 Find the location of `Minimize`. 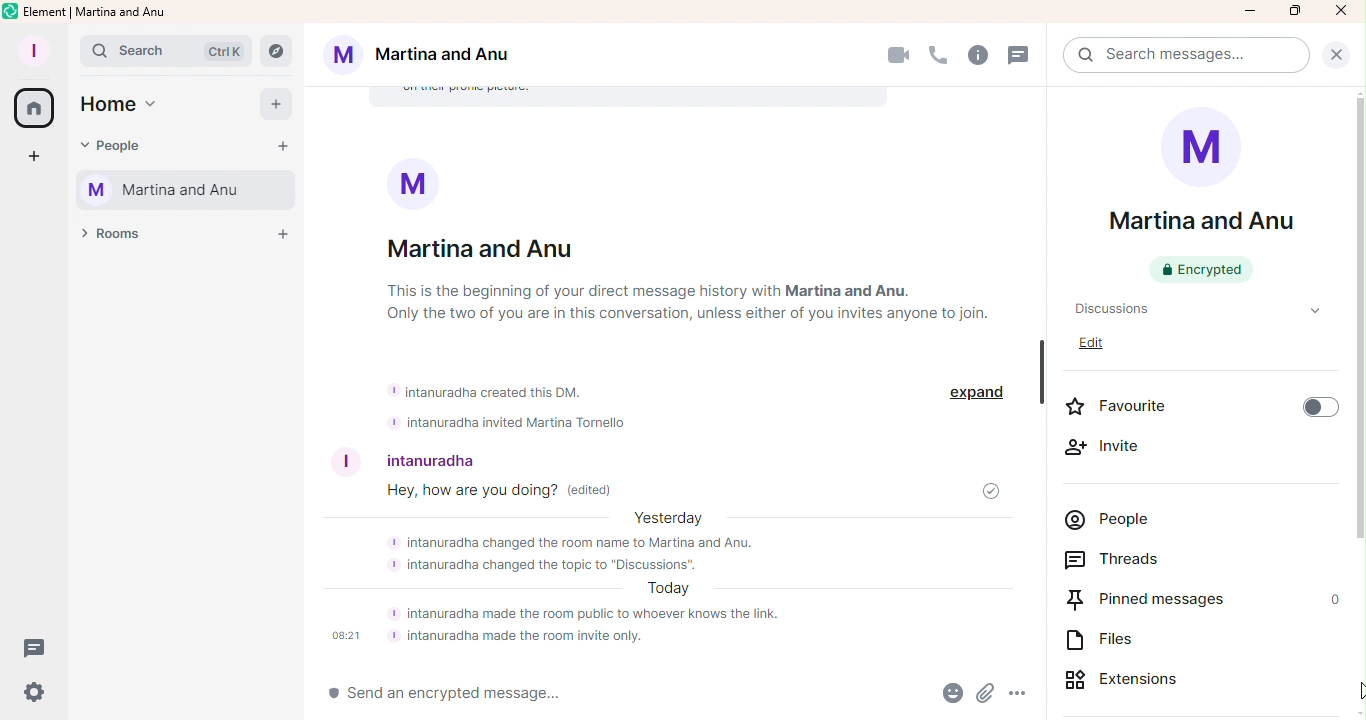

Minimize is located at coordinates (1249, 11).